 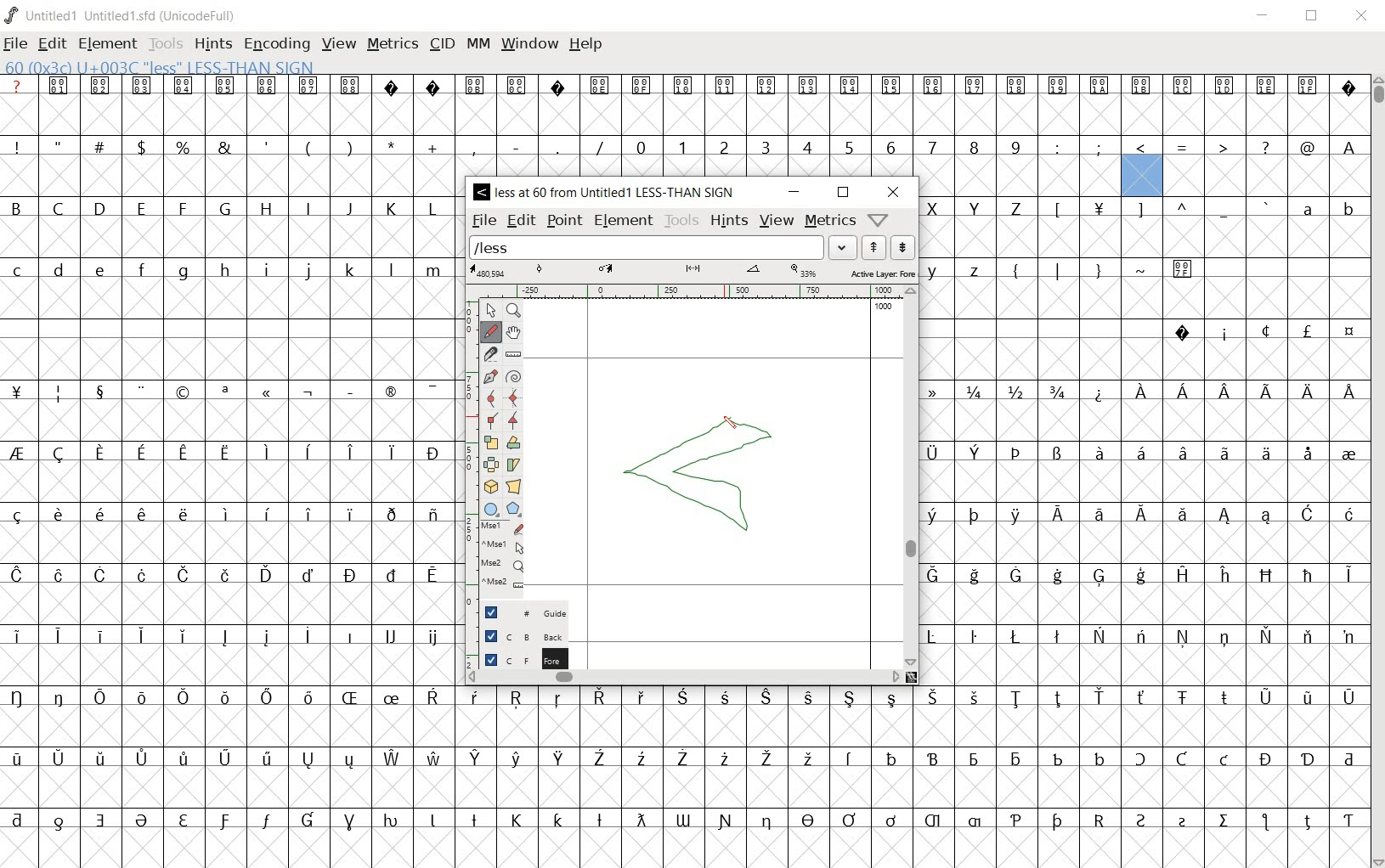 What do you see at coordinates (226, 637) in the screenshot?
I see `special letters` at bounding box center [226, 637].